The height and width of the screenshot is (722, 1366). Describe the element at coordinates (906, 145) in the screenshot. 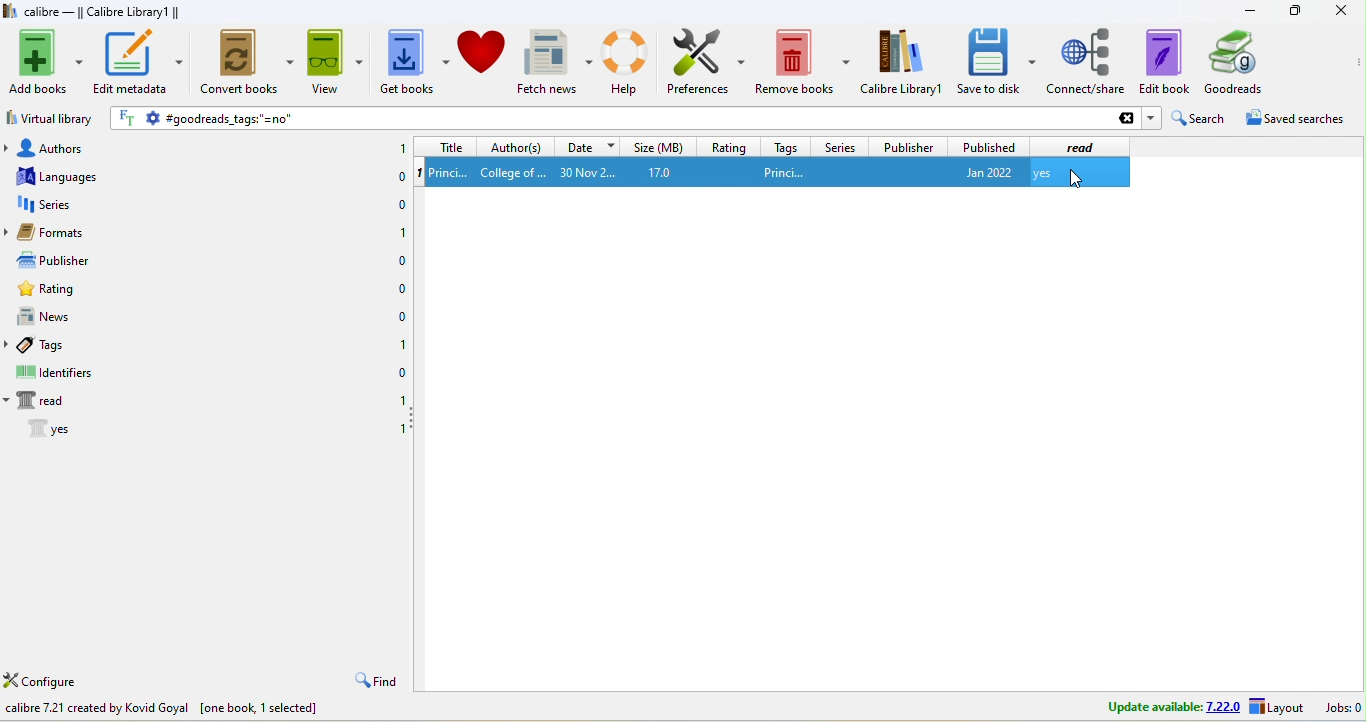

I see `publisher` at that location.